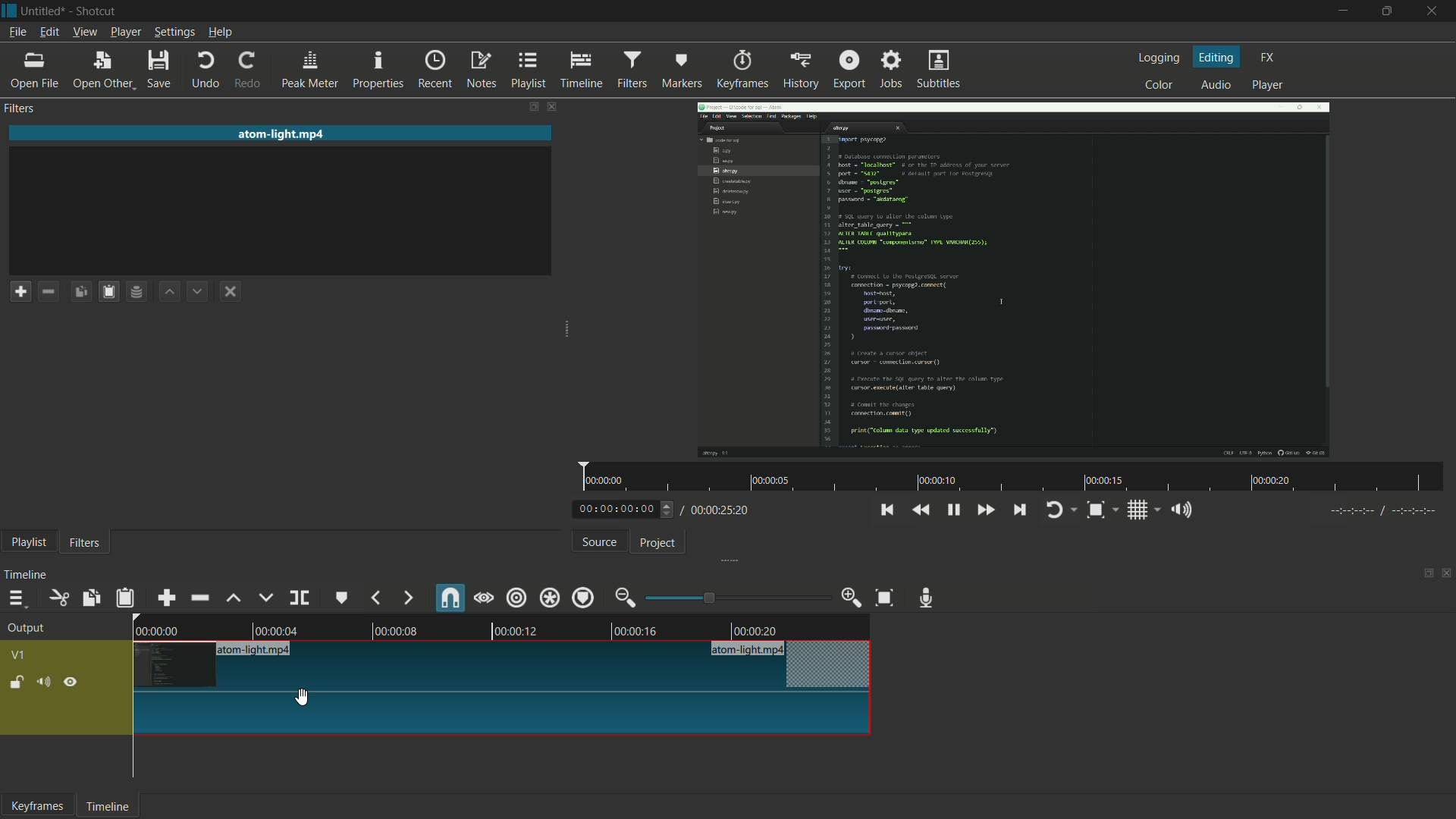 The width and height of the screenshot is (1456, 819). Describe the element at coordinates (84, 31) in the screenshot. I see `view menu` at that location.